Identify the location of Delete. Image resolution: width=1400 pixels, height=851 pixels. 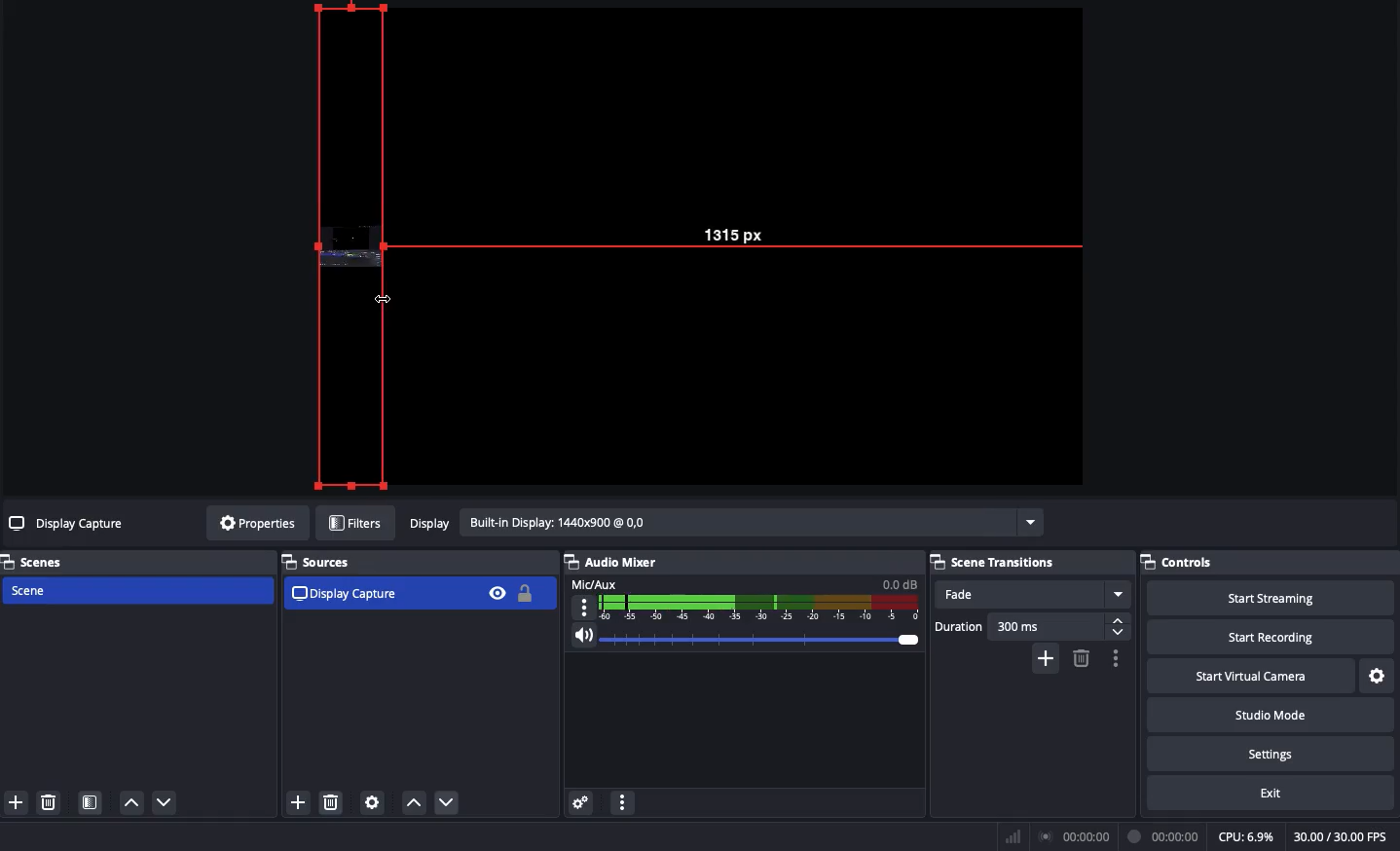
(47, 802).